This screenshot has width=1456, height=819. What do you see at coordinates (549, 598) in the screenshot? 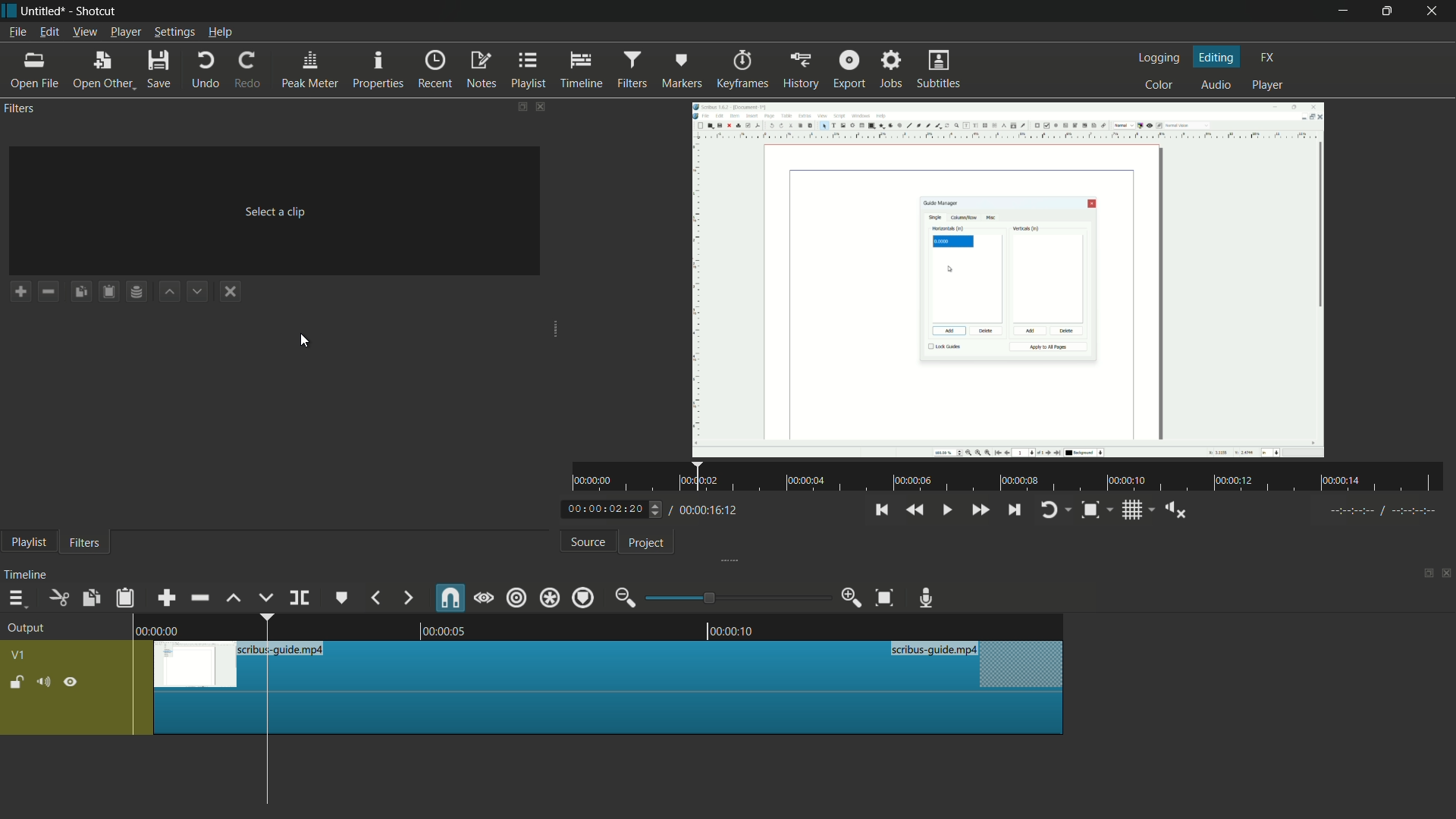
I see `ripple all tracks` at bounding box center [549, 598].